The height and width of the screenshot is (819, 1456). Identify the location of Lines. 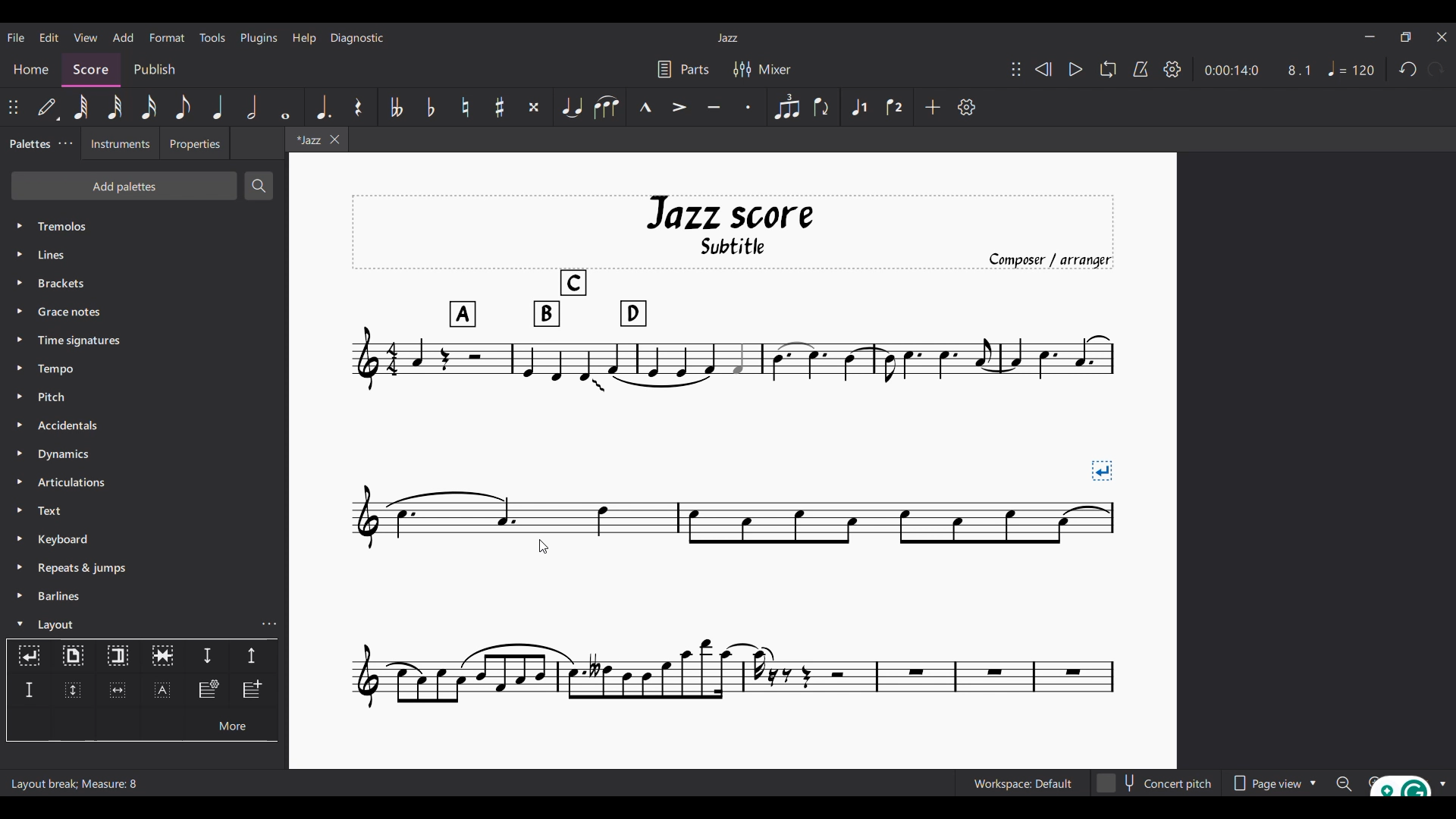
(143, 255).